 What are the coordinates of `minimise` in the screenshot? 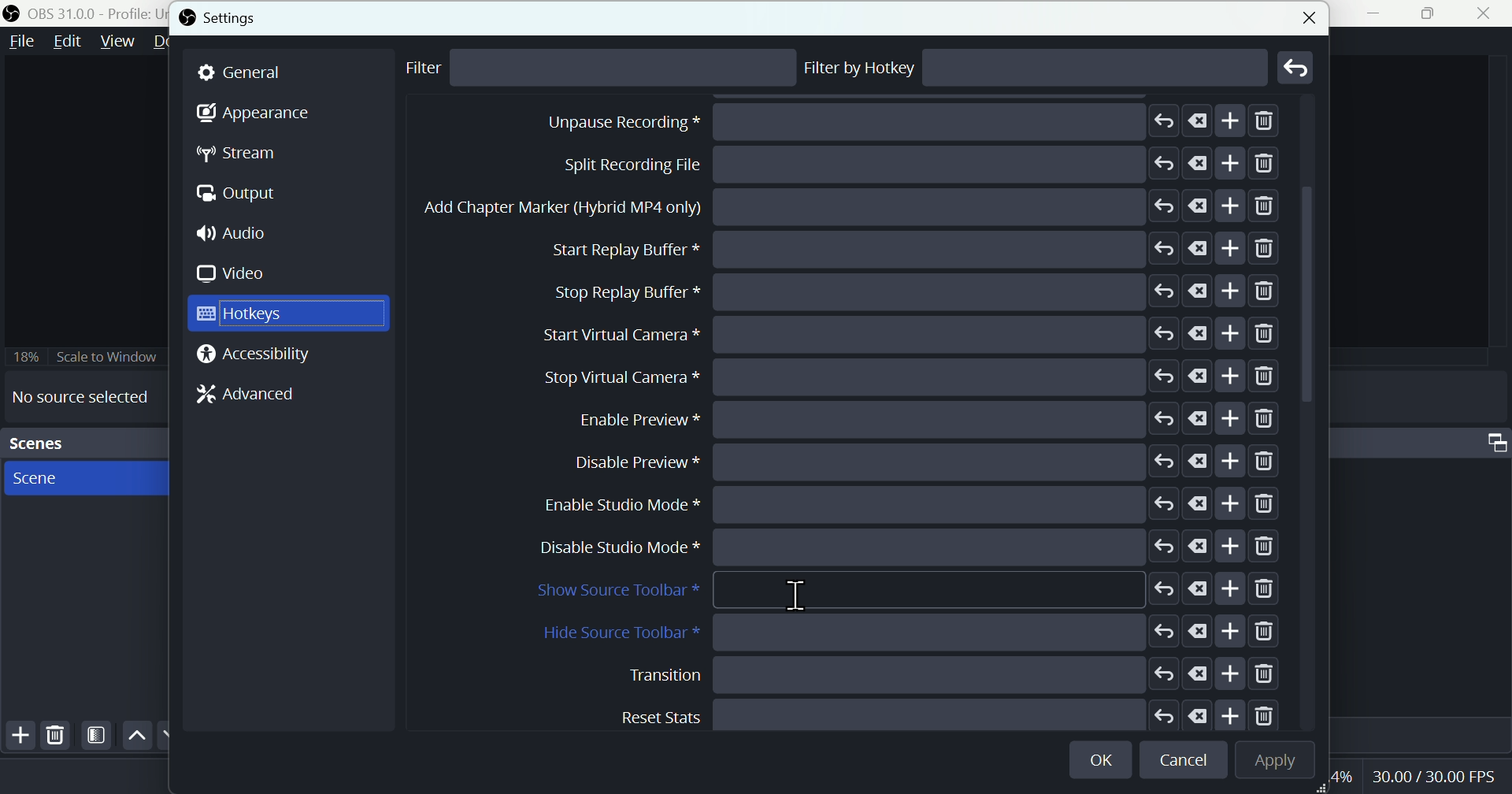 It's located at (1380, 13).